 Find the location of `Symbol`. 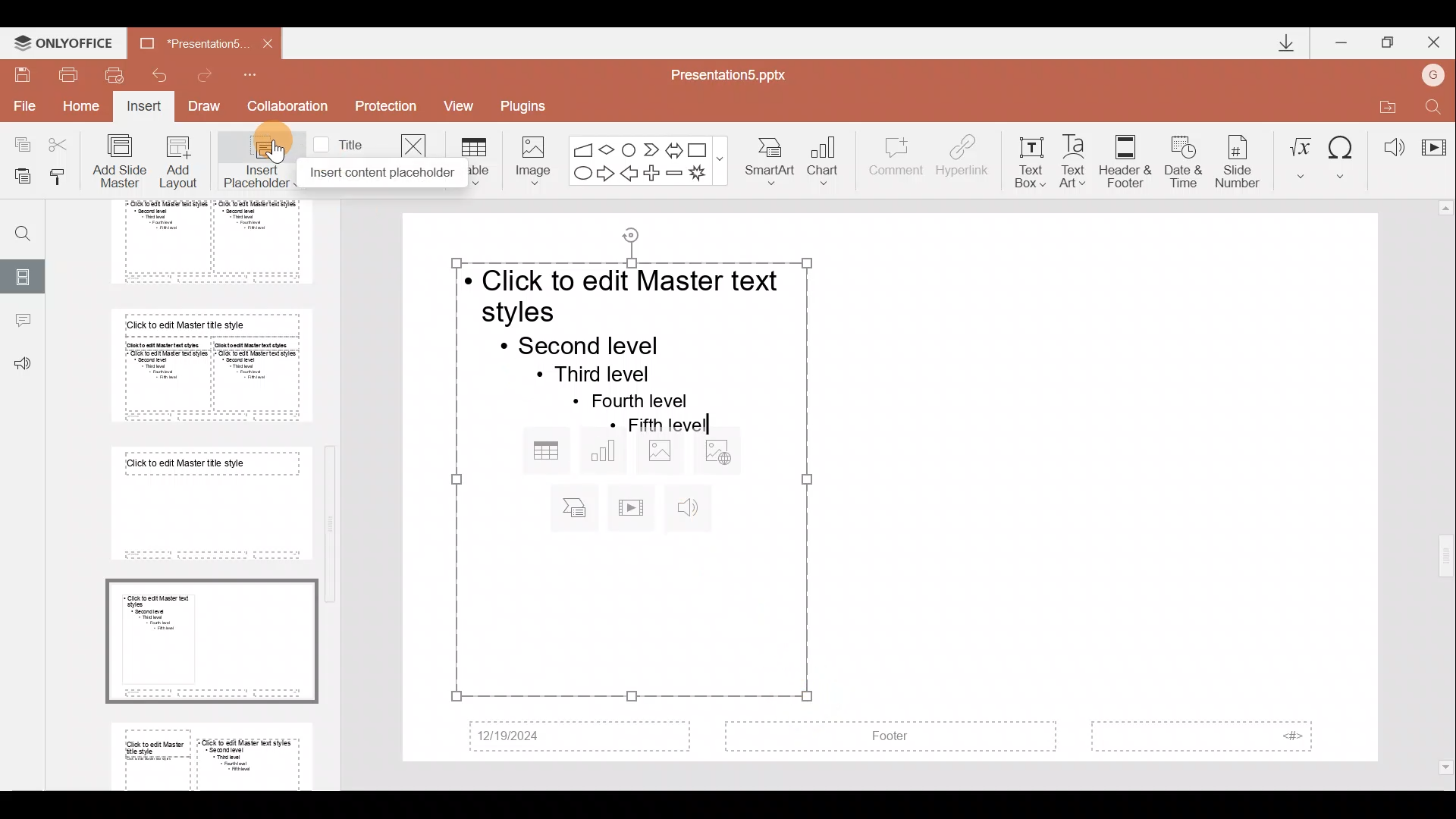

Symbol is located at coordinates (1343, 155).